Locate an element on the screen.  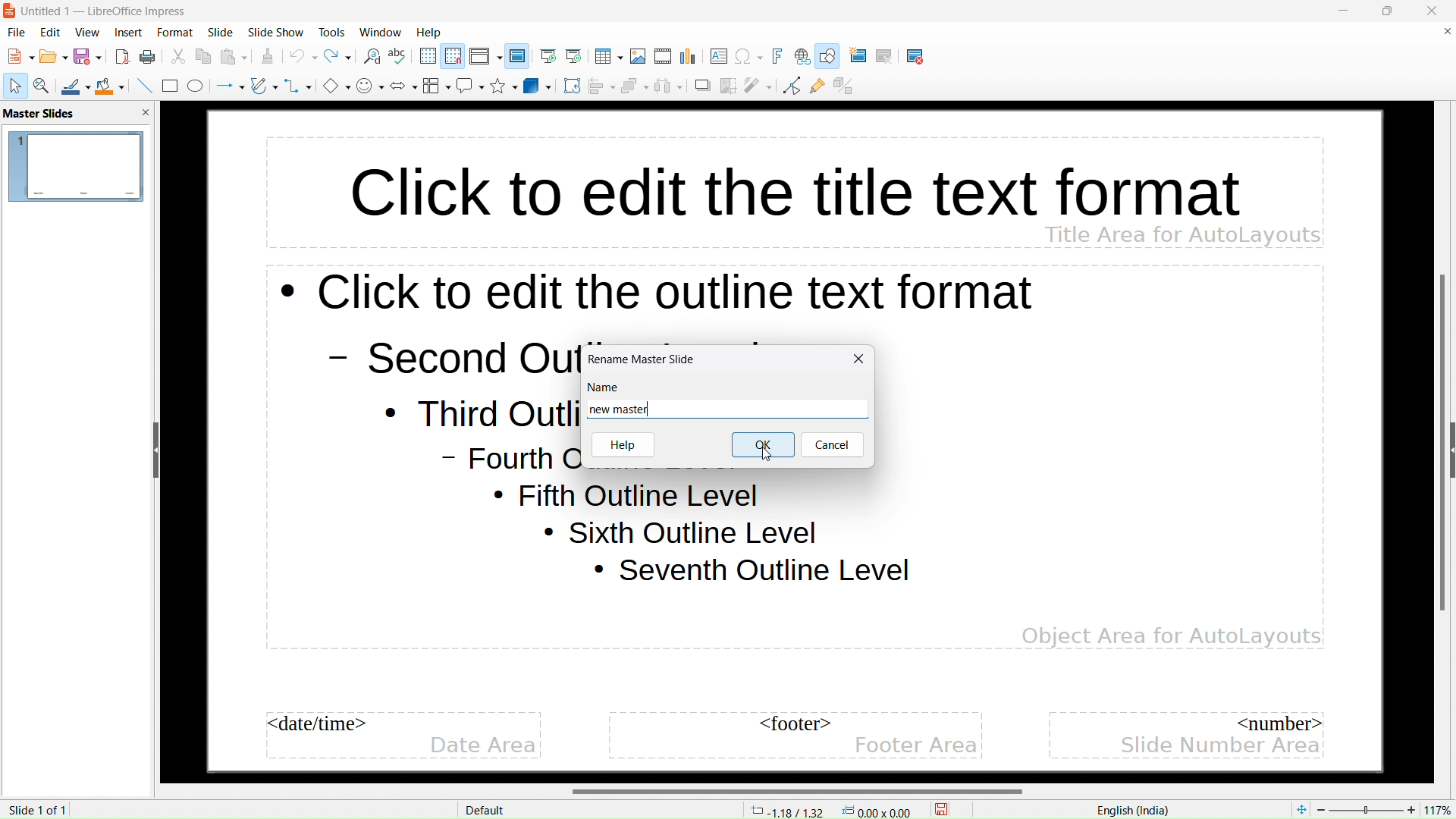
fit to page is located at coordinates (1301, 809).